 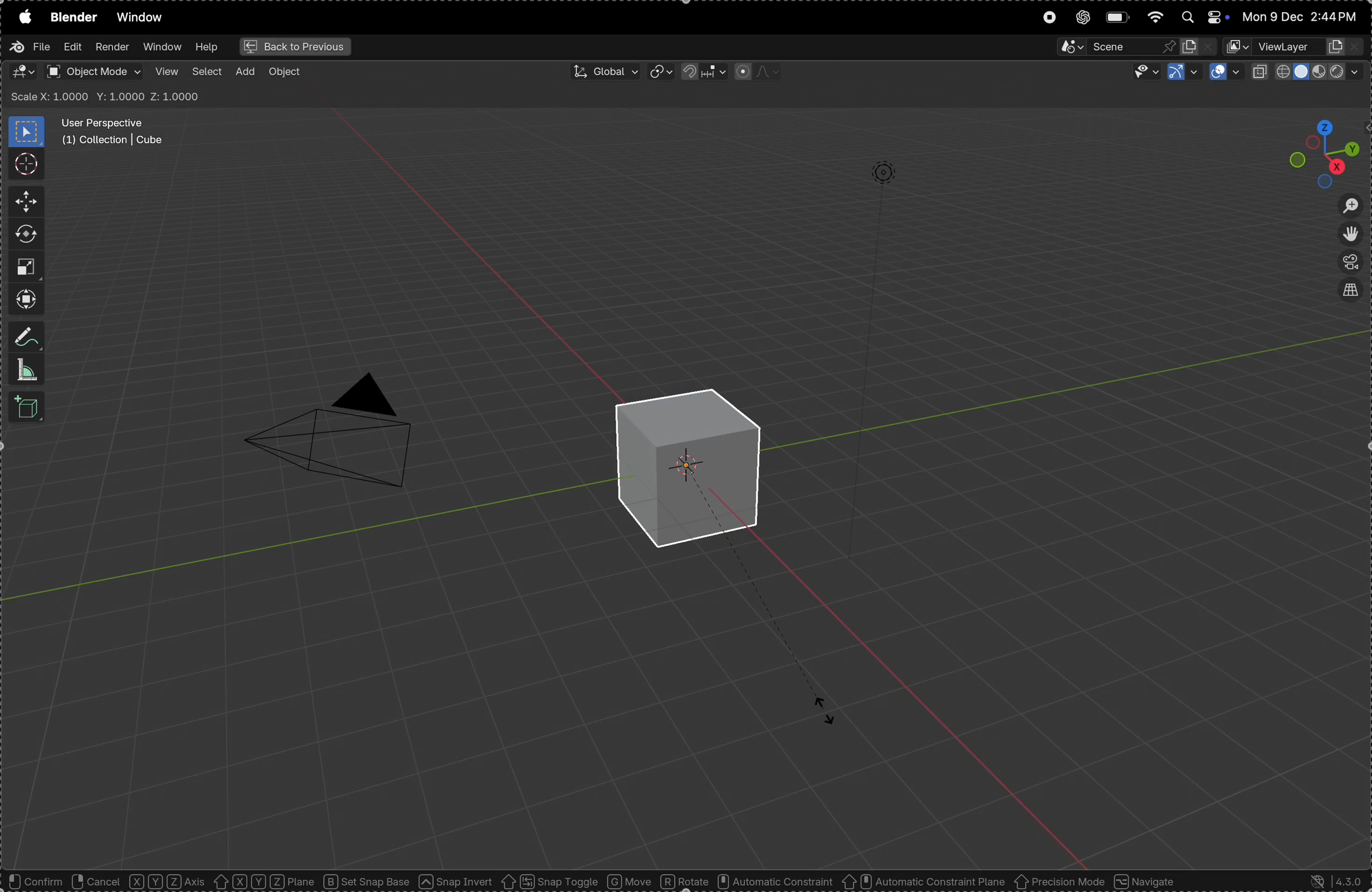 I want to click on Scale X Y Z, so click(x=107, y=95).